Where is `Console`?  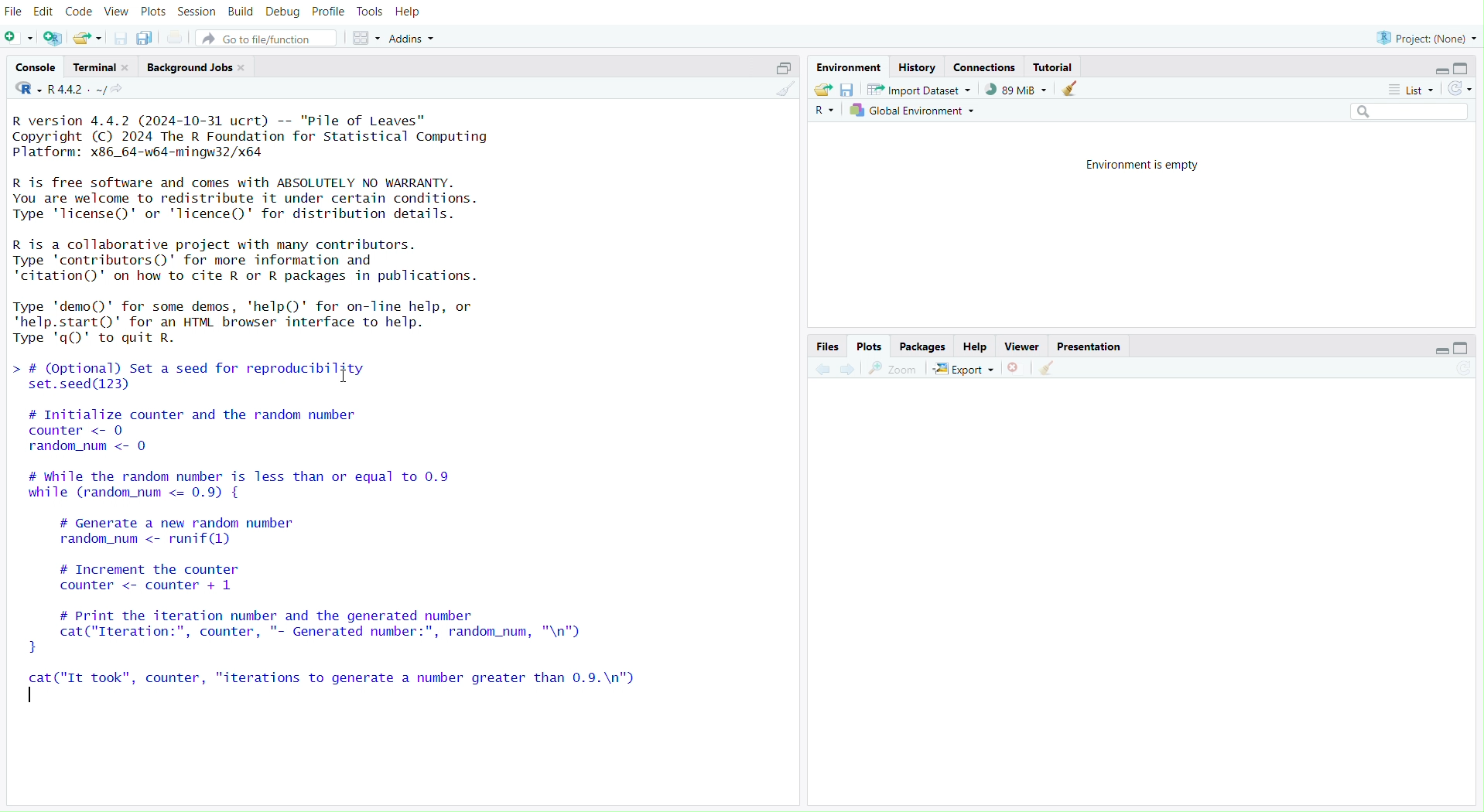 Console is located at coordinates (36, 67).